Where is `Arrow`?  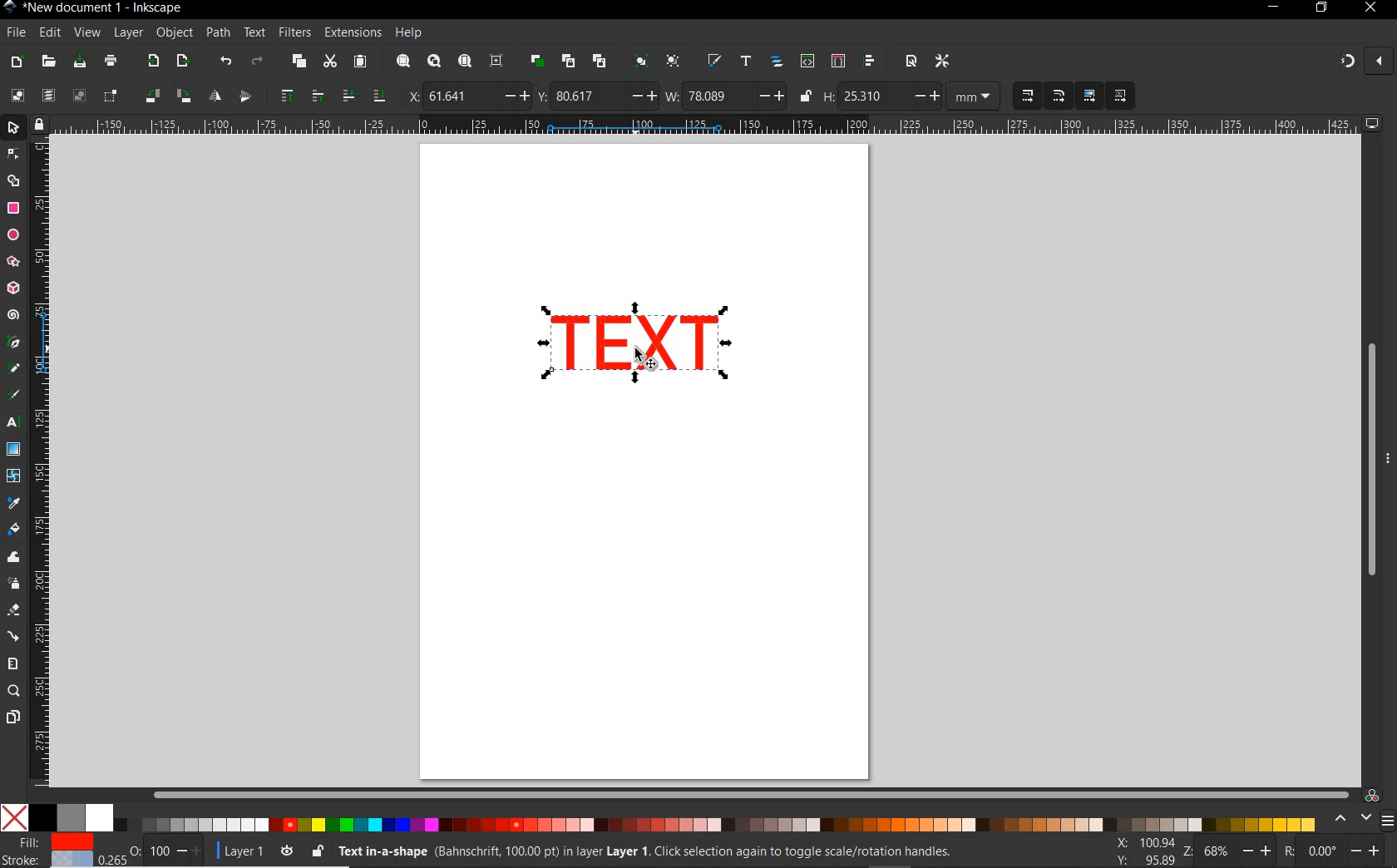 Arrow is located at coordinates (15, 167).